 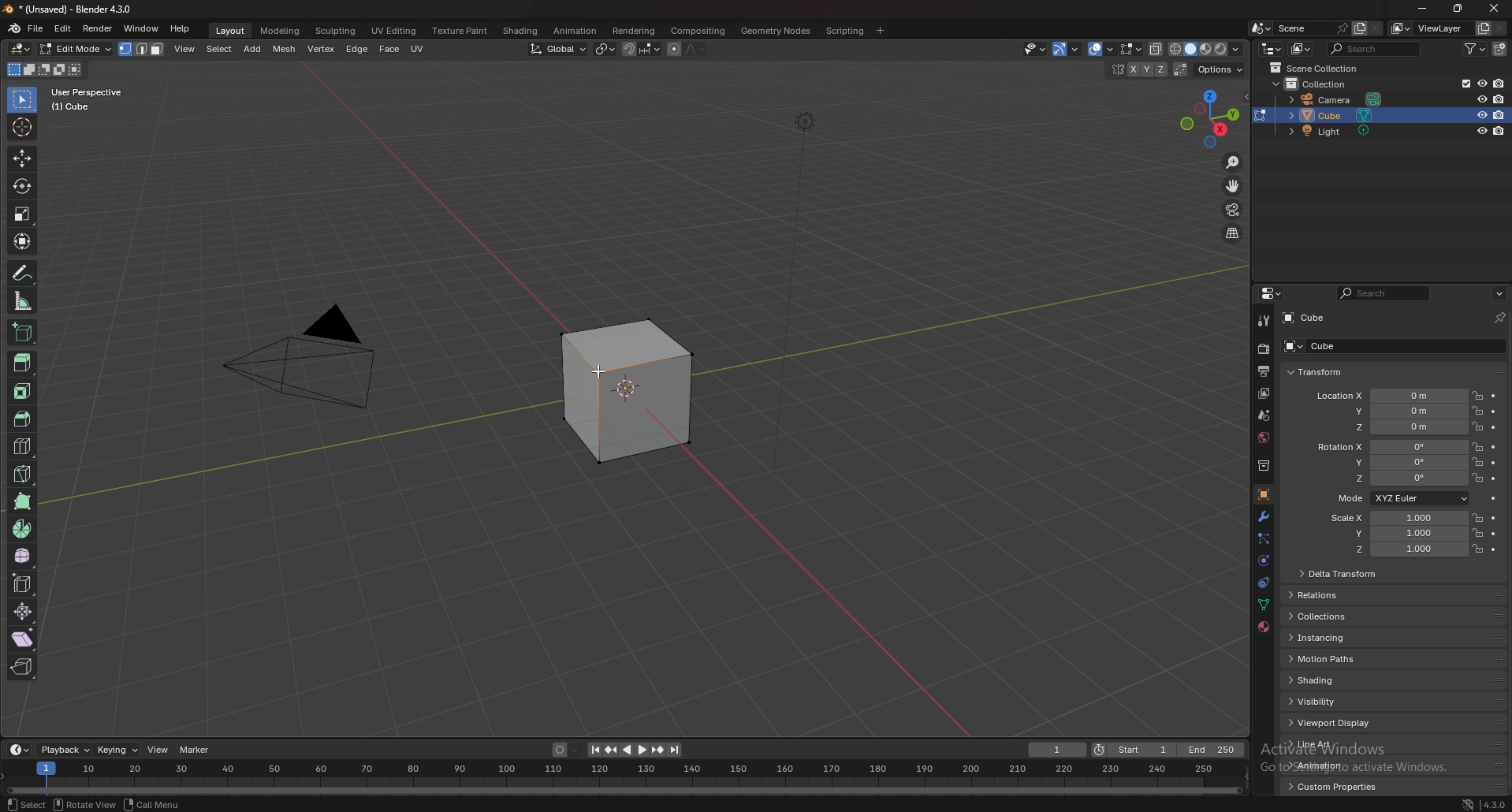 What do you see at coordinates (322, 49) in the screenshot?
I see `vertex` at bounding box center [322, 49].